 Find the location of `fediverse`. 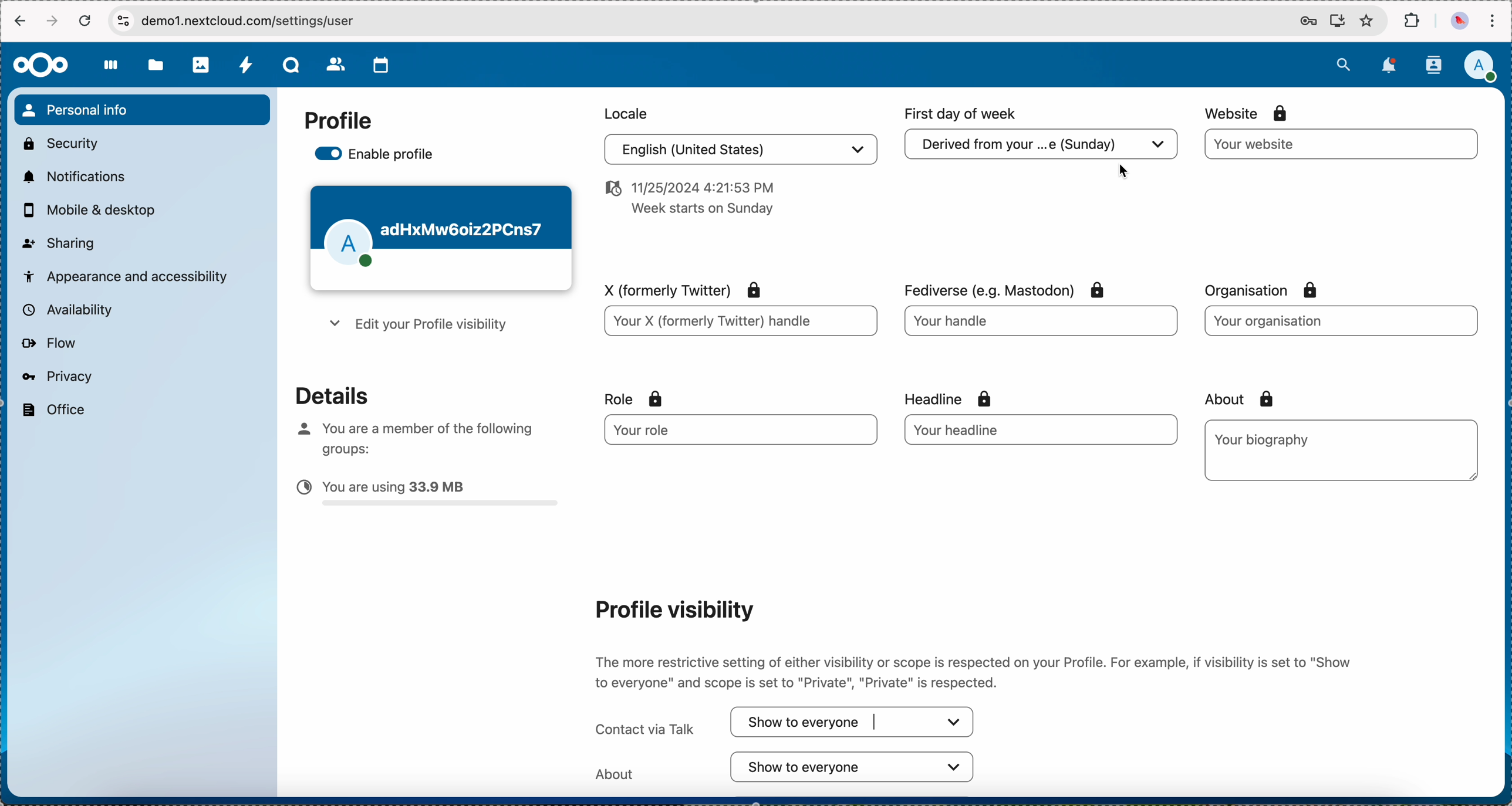

fediverse is located at coordinates (1001, 286).